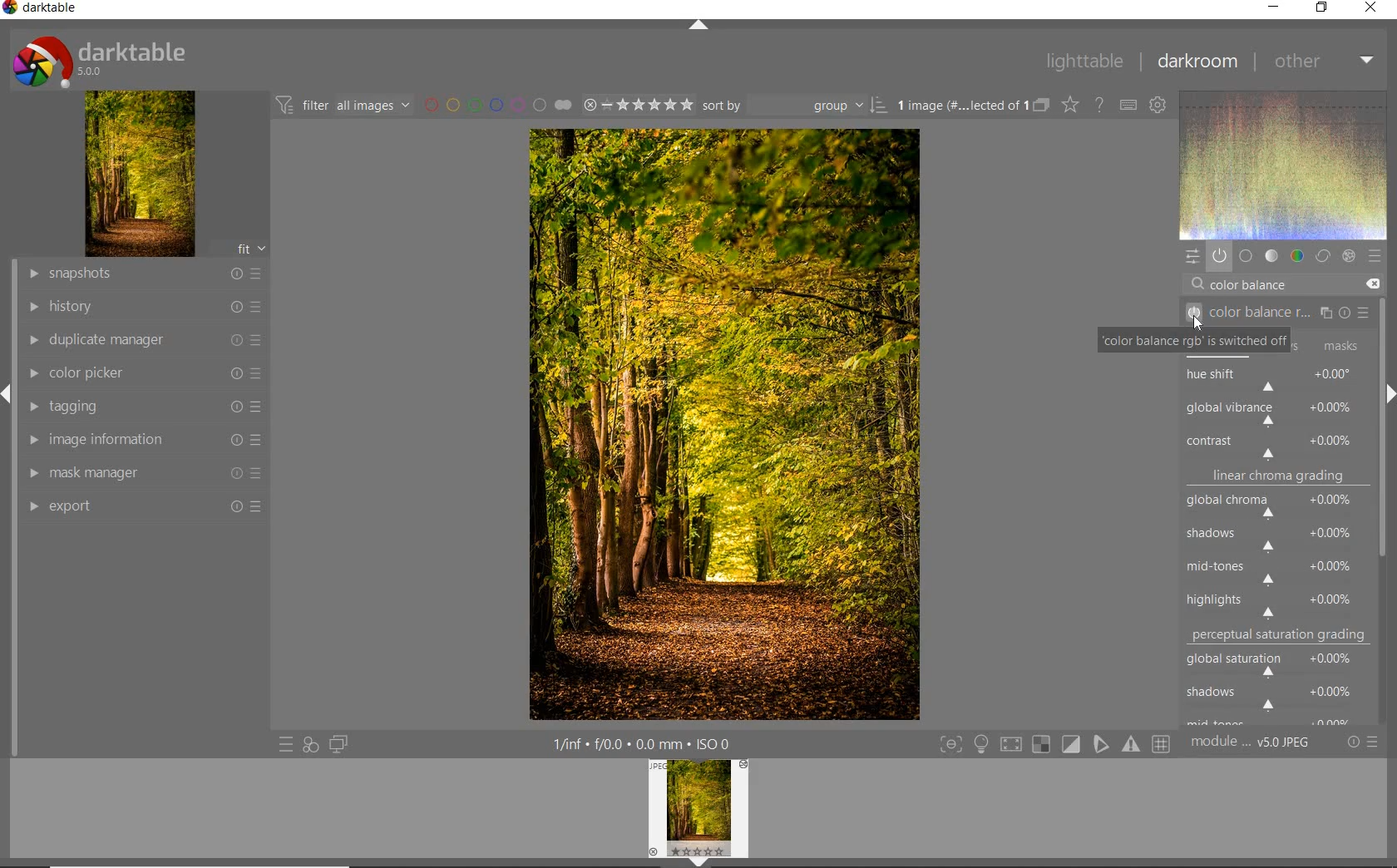  What do you see at coordinates (1279, 508) in the screenshot?
I see `global chroma` at bounding box center [1279, 508].